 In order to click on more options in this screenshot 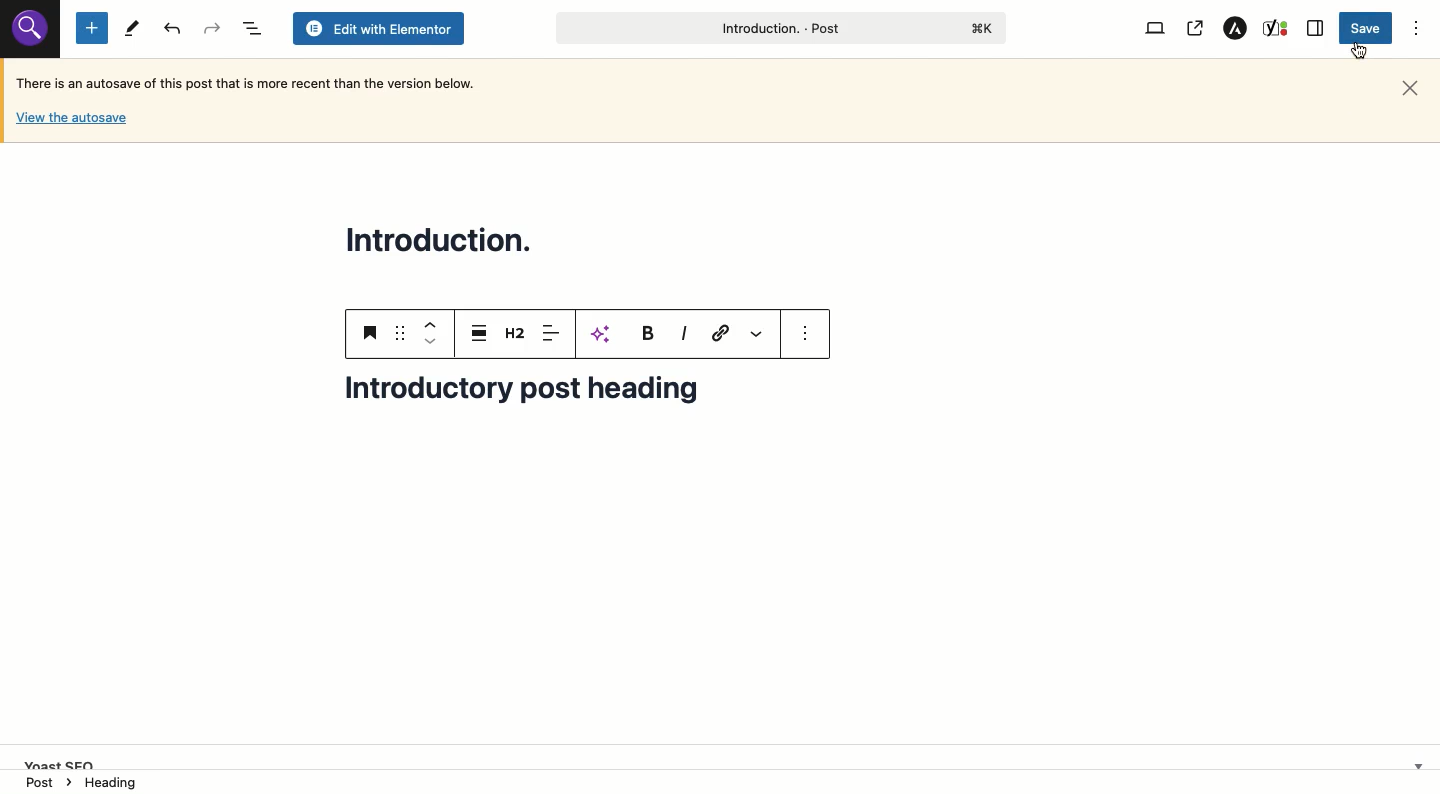, I will do `click(806, 332)`.